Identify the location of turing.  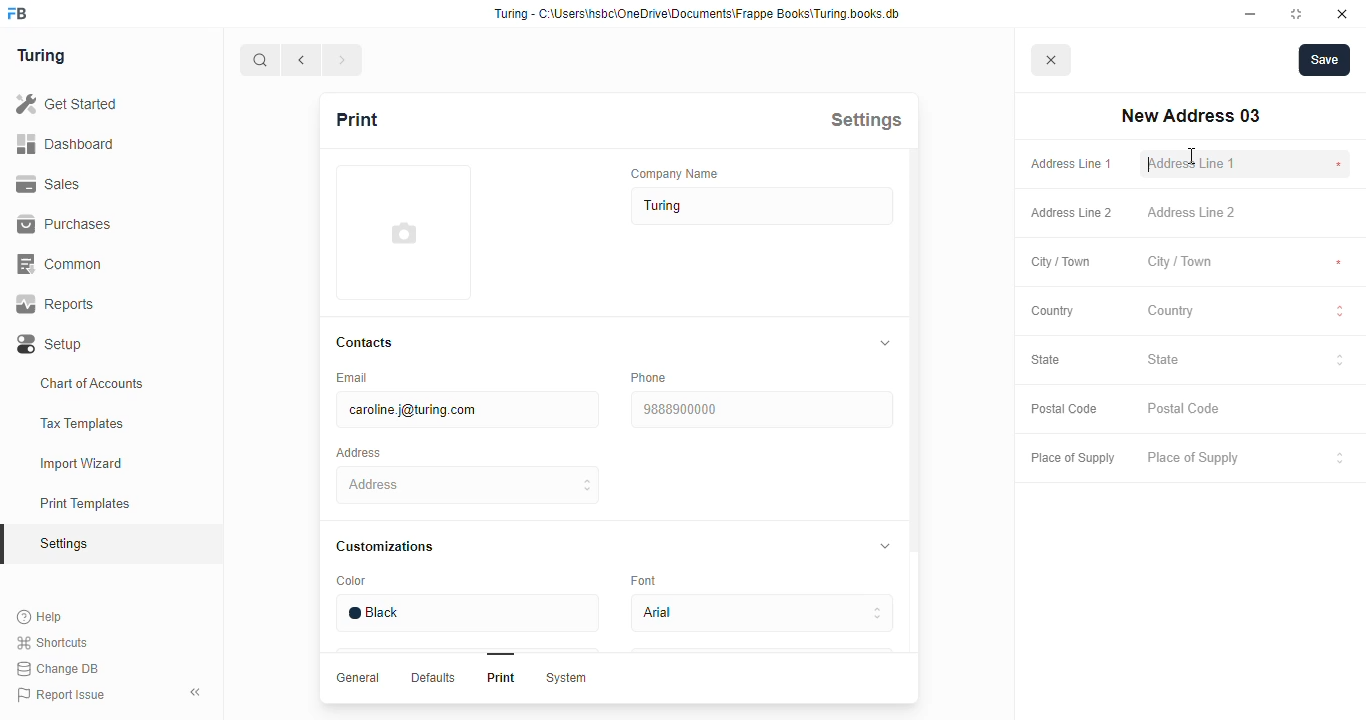
(763, 206).